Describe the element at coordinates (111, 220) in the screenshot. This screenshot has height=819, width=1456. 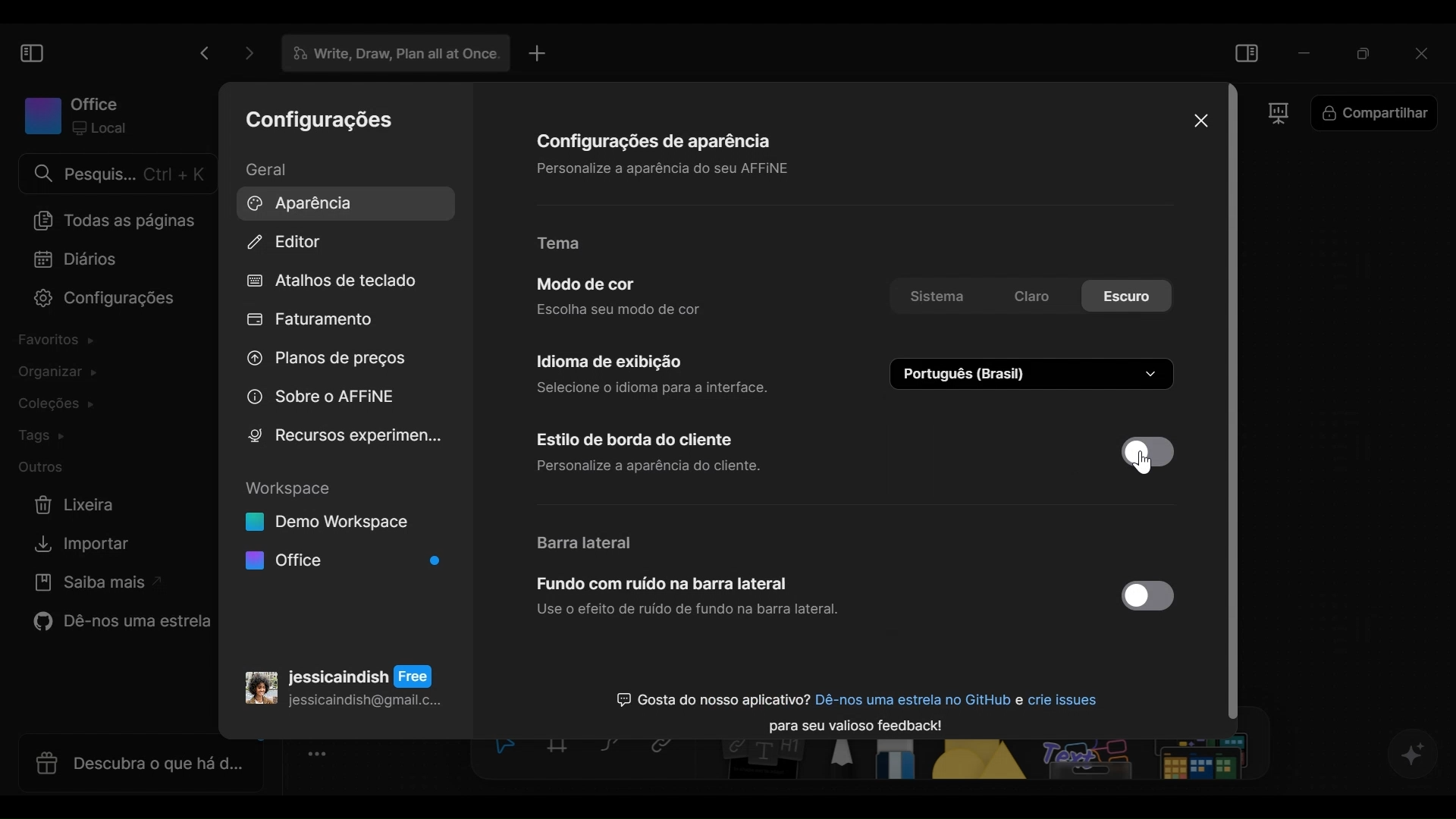
I see `All documents` at that location.